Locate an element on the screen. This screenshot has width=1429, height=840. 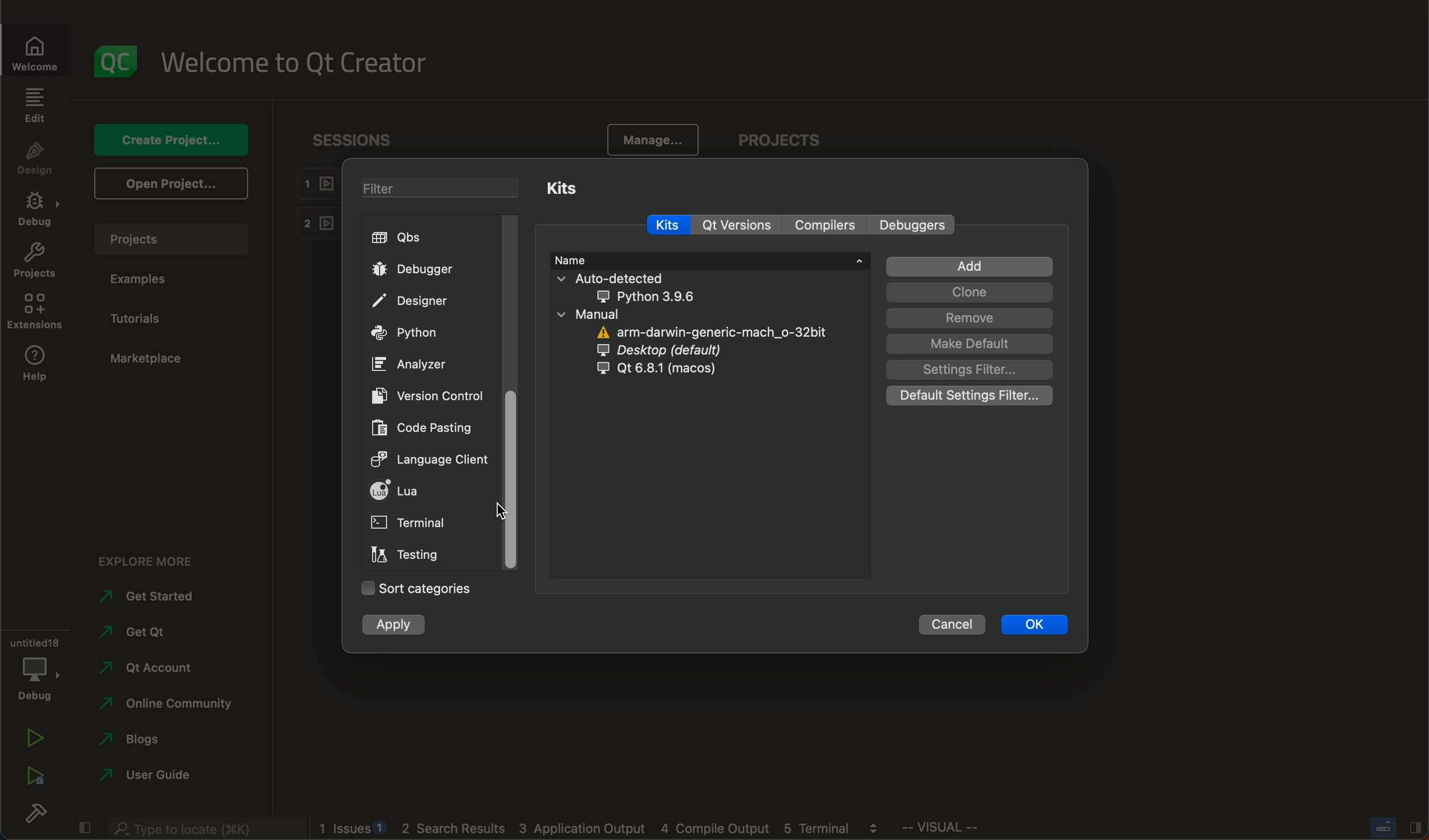
build is located at coordinates (33, 816).